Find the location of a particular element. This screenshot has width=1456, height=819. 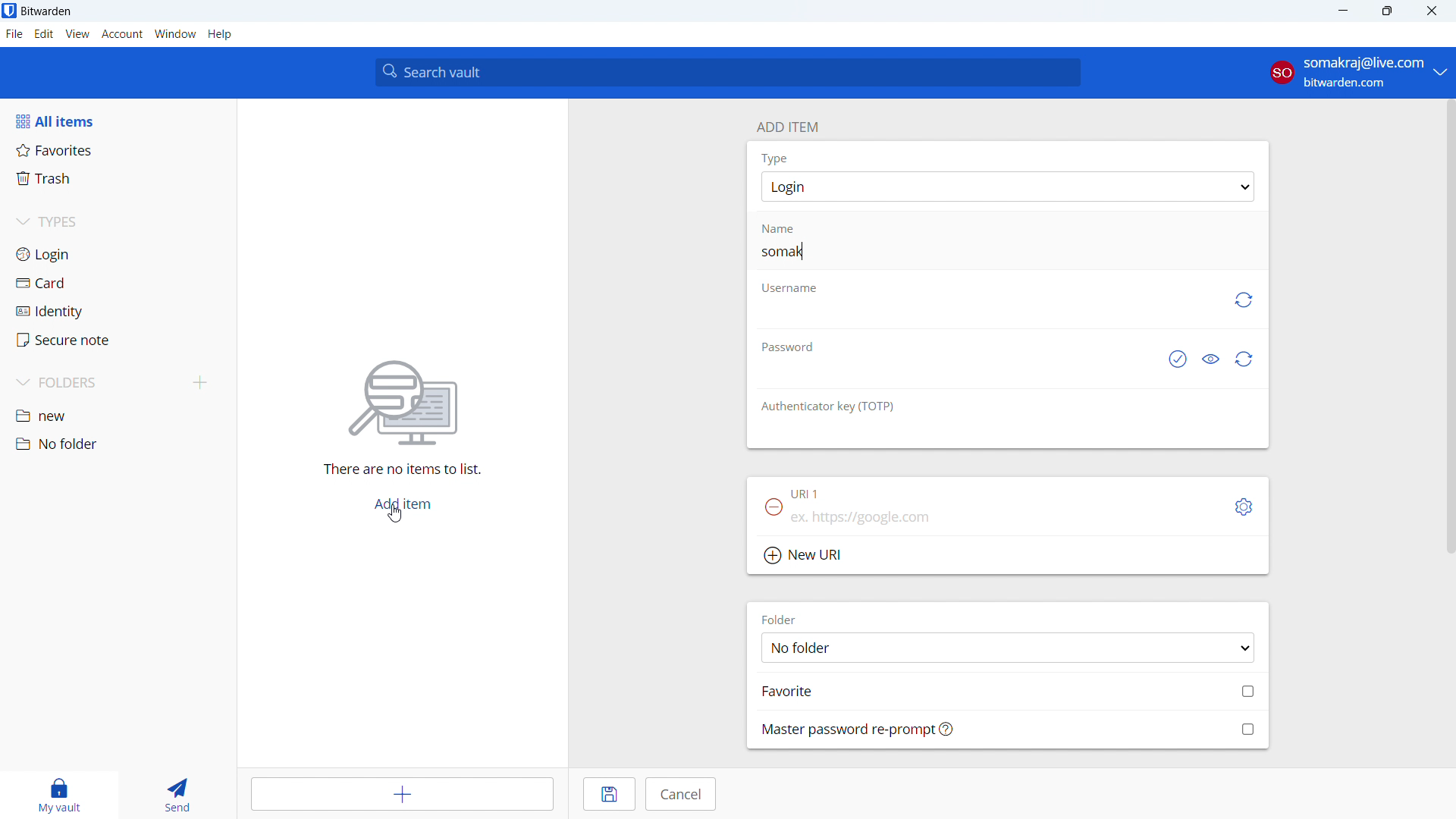

add username is located at coordinates (984, 316).